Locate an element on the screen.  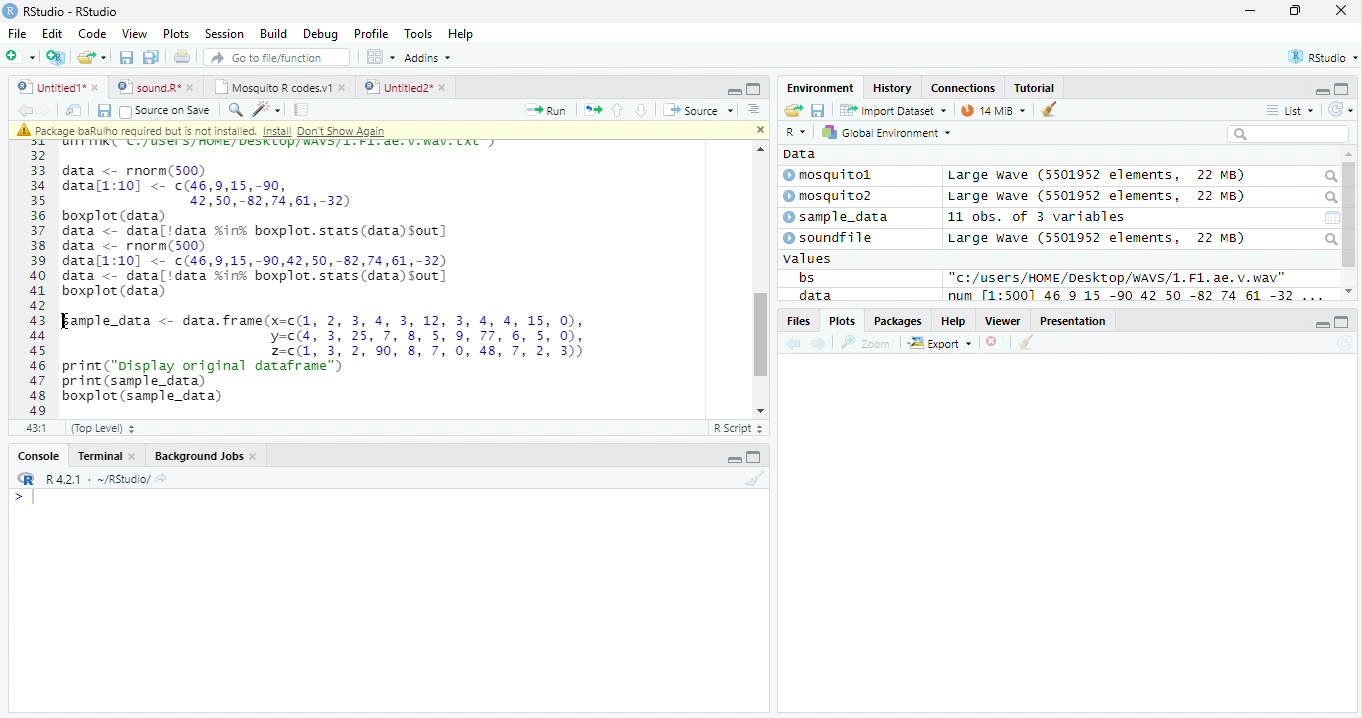
Background Jobs is located at coordinates (204, 456).